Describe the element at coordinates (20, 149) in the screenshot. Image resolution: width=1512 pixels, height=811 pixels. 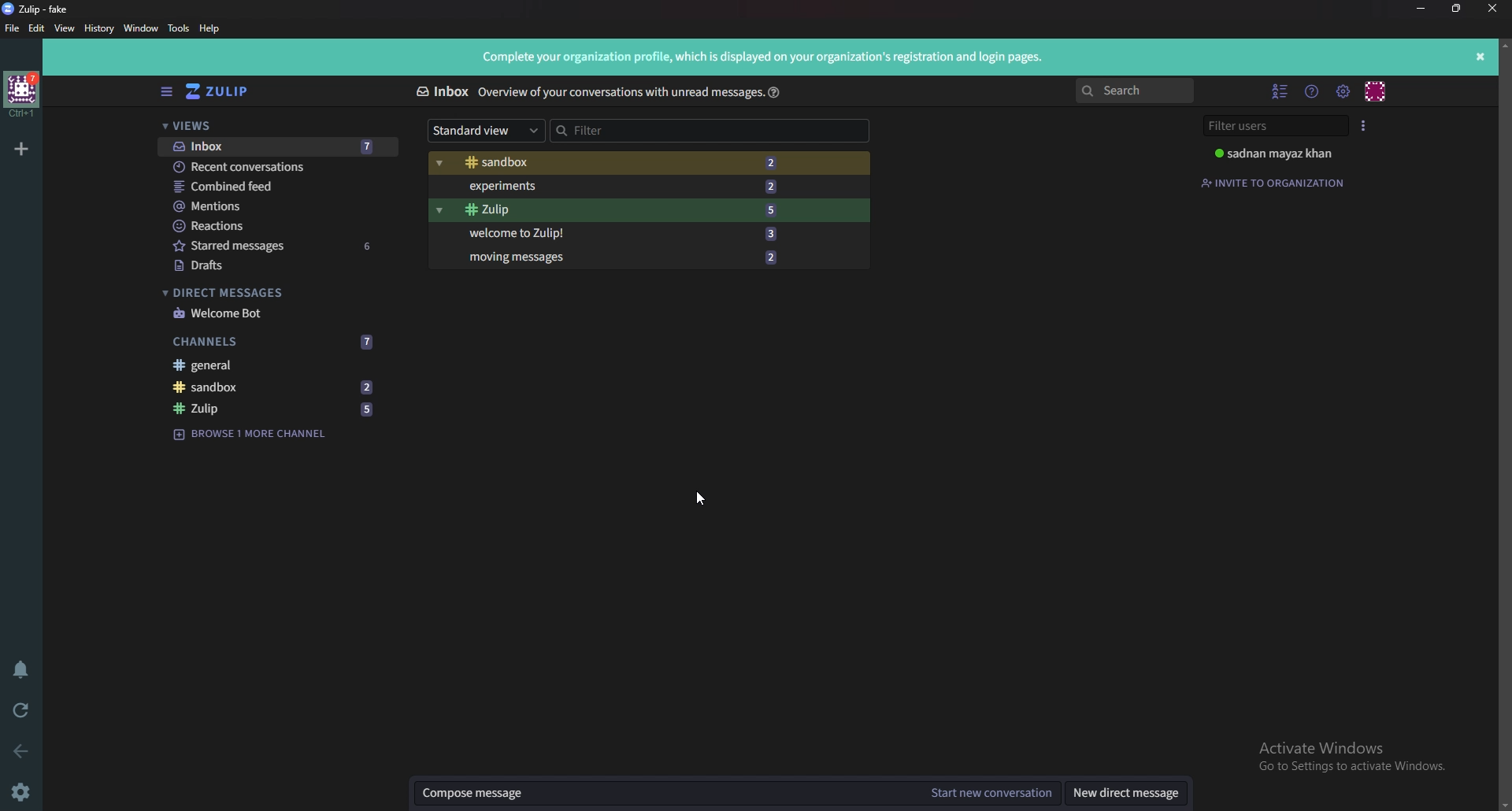
I see `Add organization` at that location.